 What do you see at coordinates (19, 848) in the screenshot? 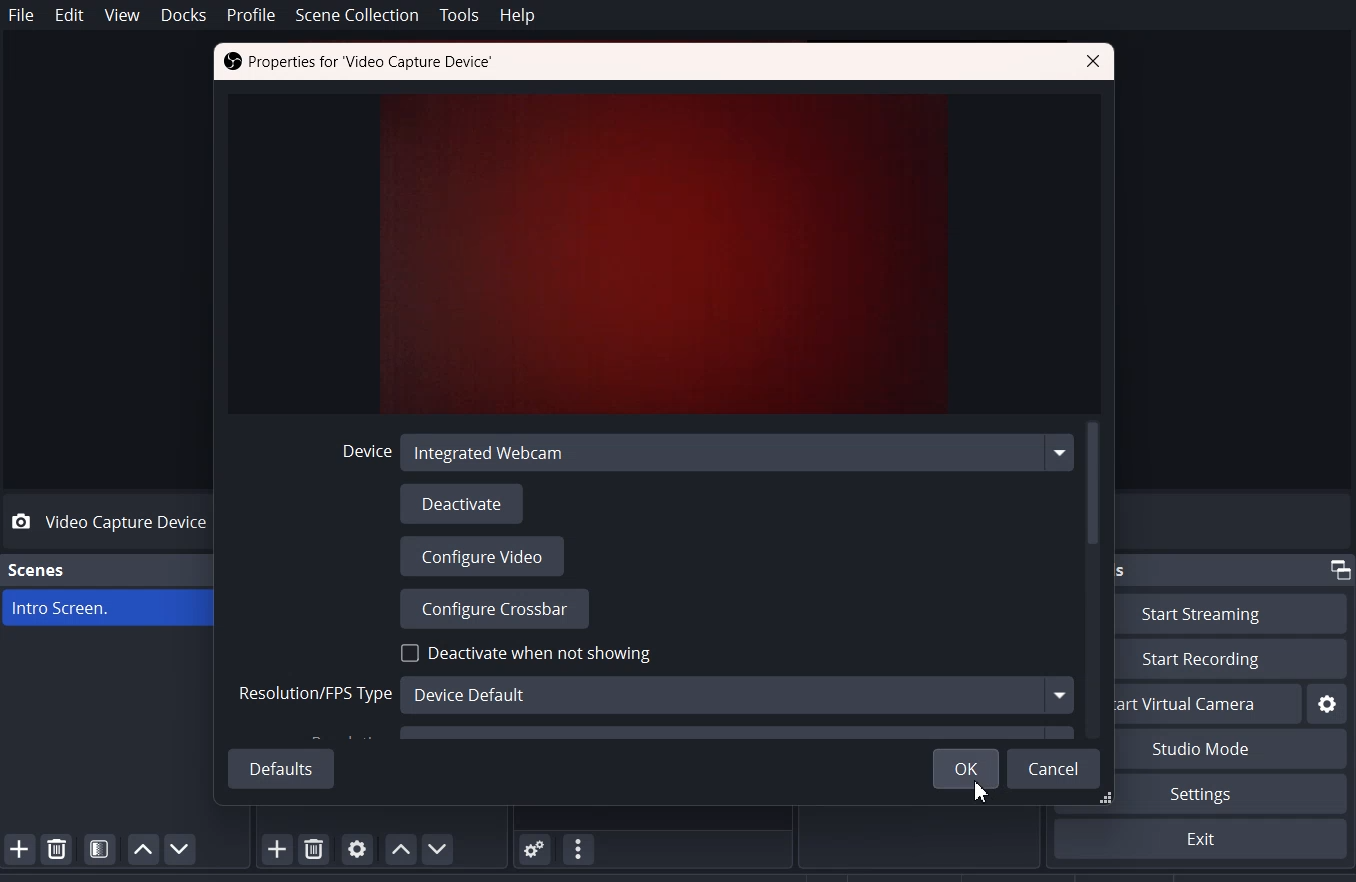
I see `Add Scene` at bounding box center [19, 848].